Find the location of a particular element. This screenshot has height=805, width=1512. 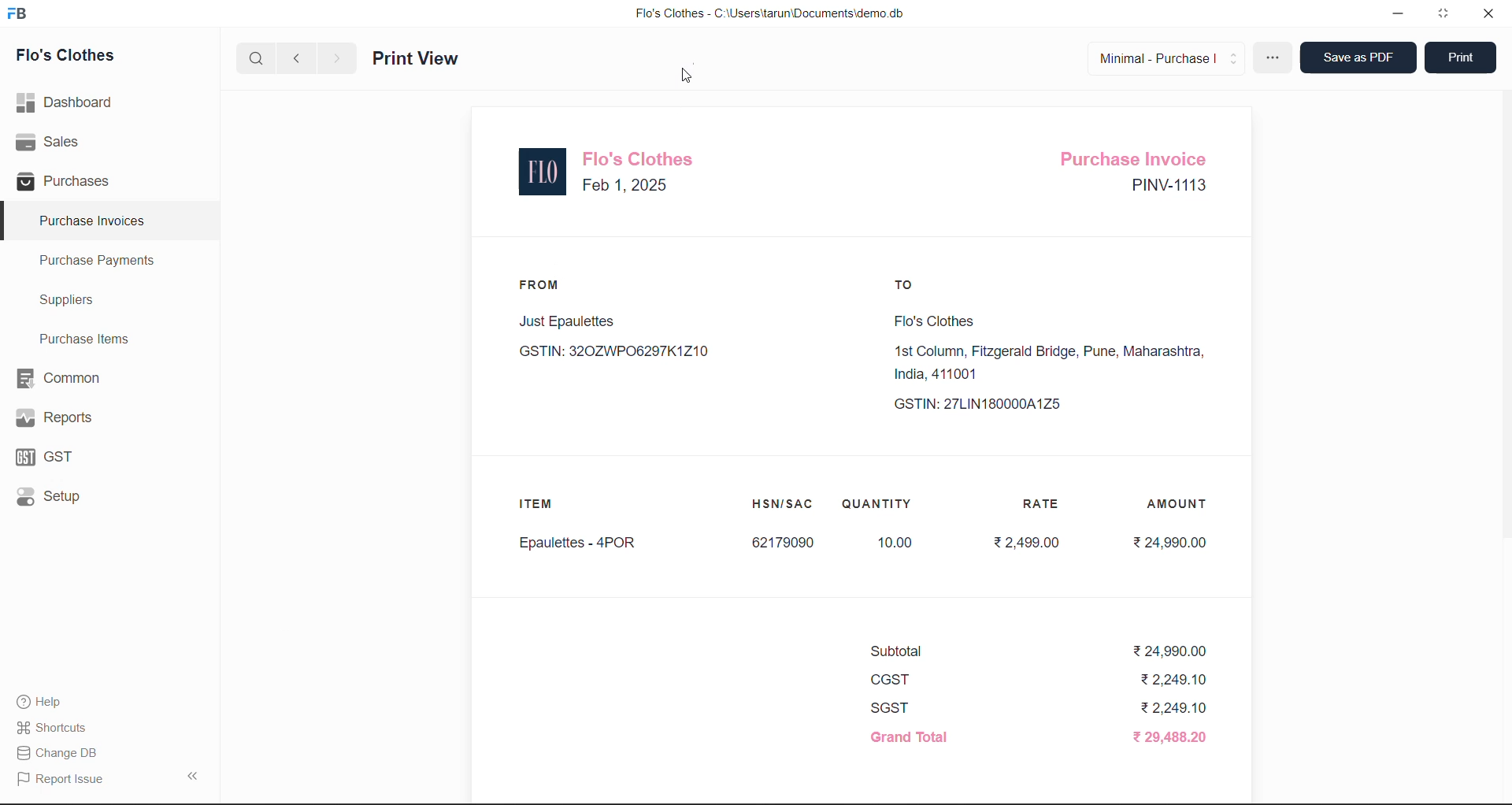

₹24,990.00 is located at coordinates (1177, 544).